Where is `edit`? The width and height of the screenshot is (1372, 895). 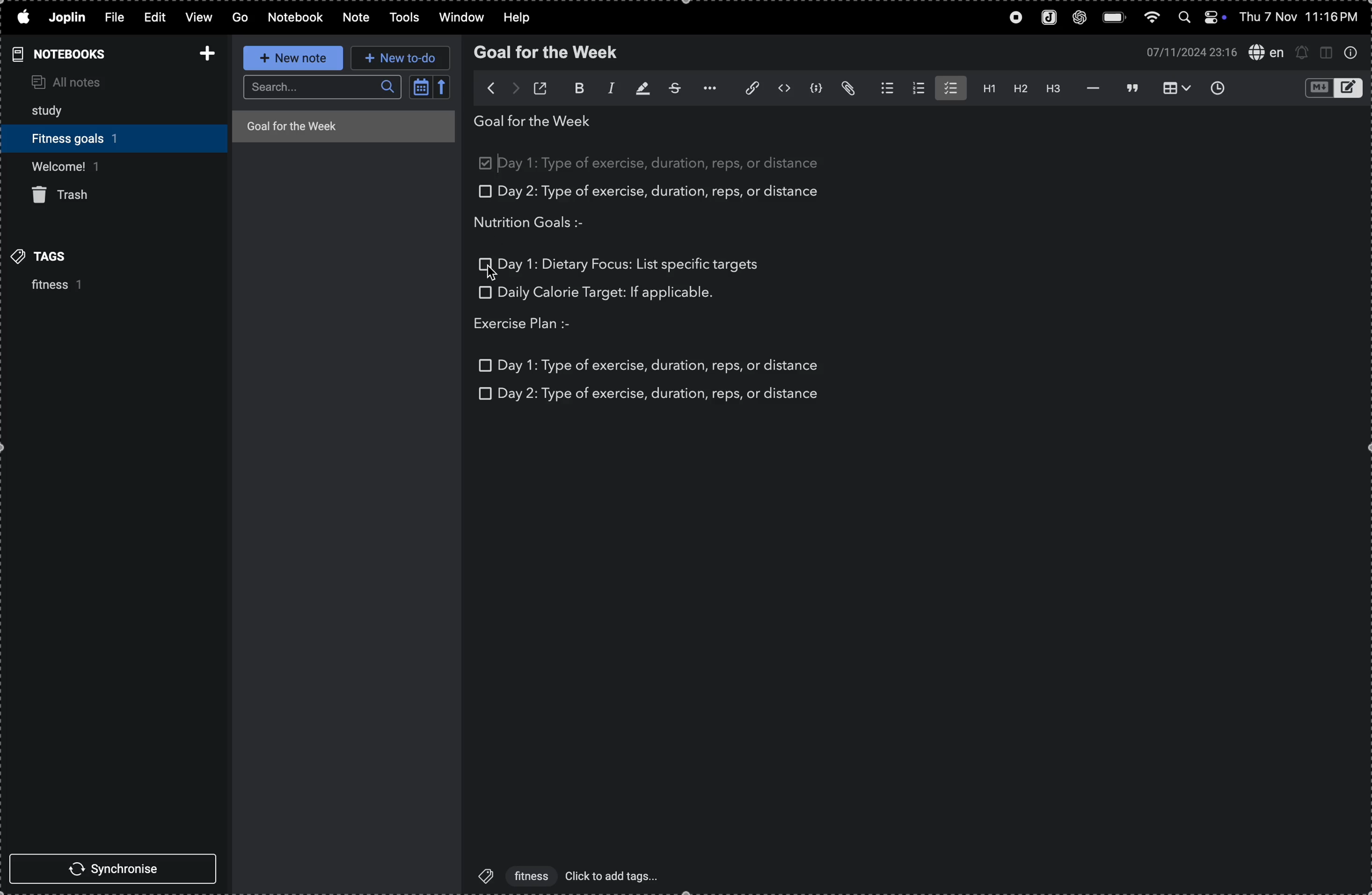 edit is located at coordinates (156, 17).